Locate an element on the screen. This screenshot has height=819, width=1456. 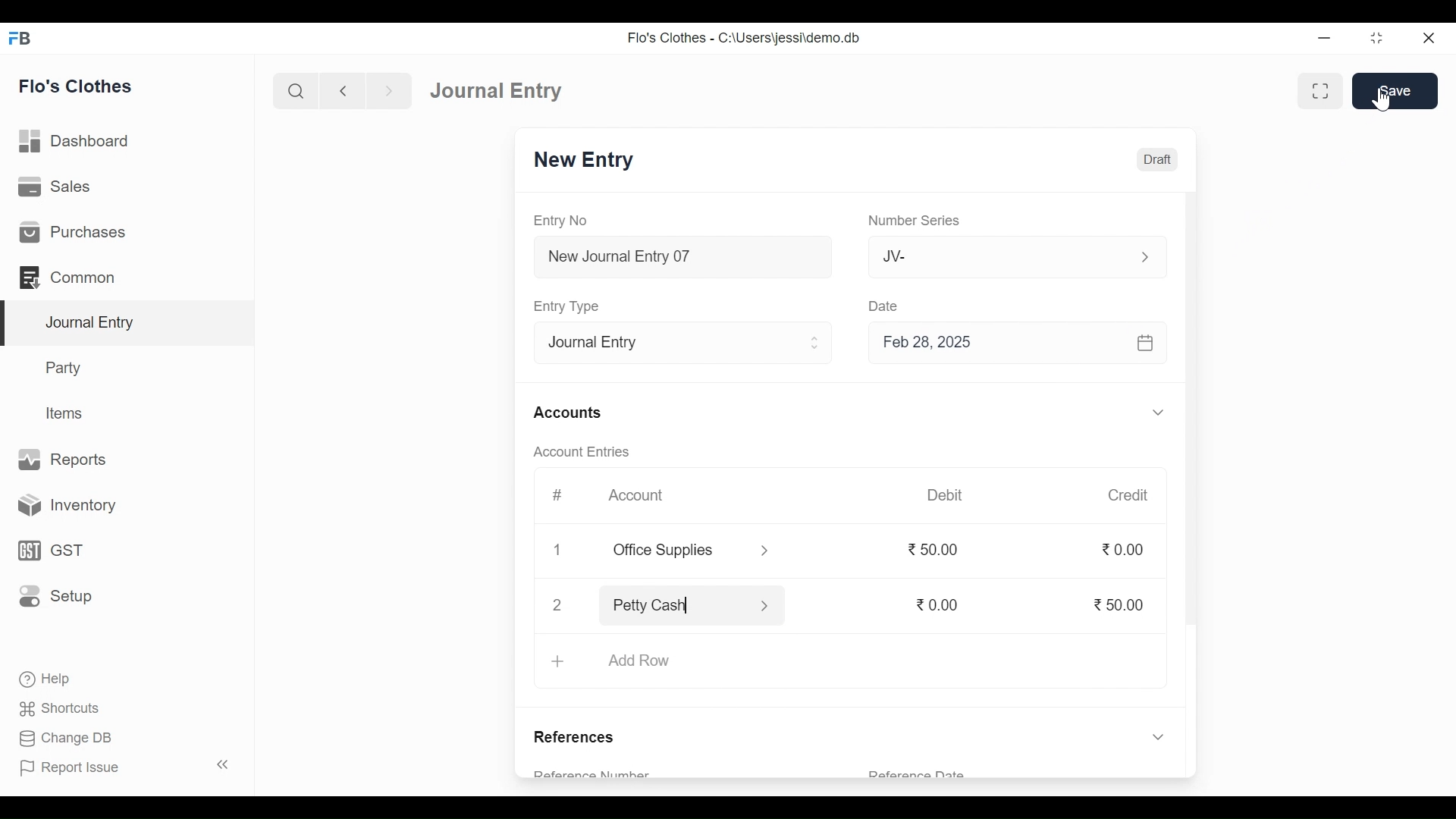
Frappe Books Desktop Icon is located at coordinates (20, 39).